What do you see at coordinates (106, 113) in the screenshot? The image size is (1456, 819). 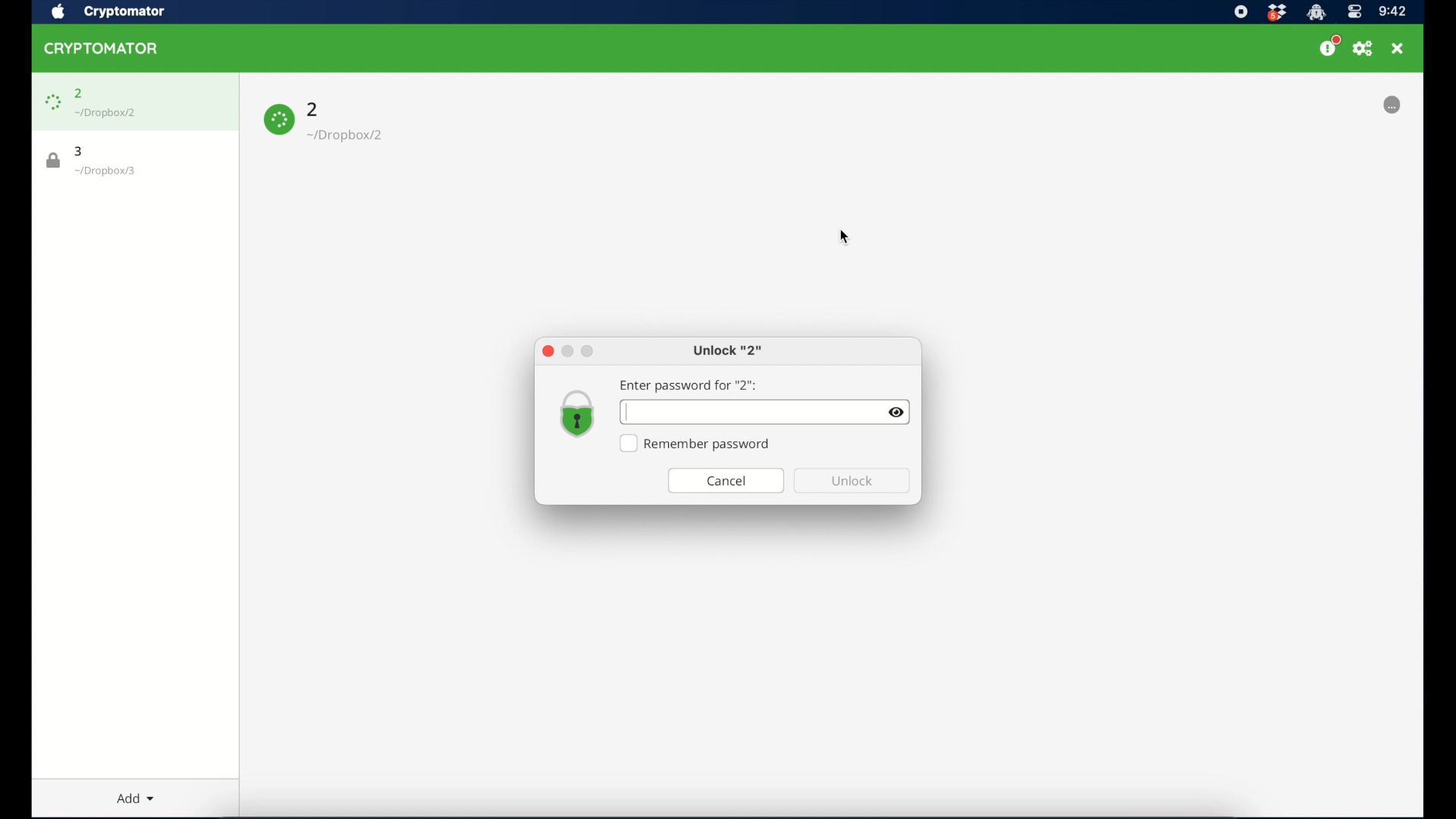 I see `location` at bounding box center [106, 113].